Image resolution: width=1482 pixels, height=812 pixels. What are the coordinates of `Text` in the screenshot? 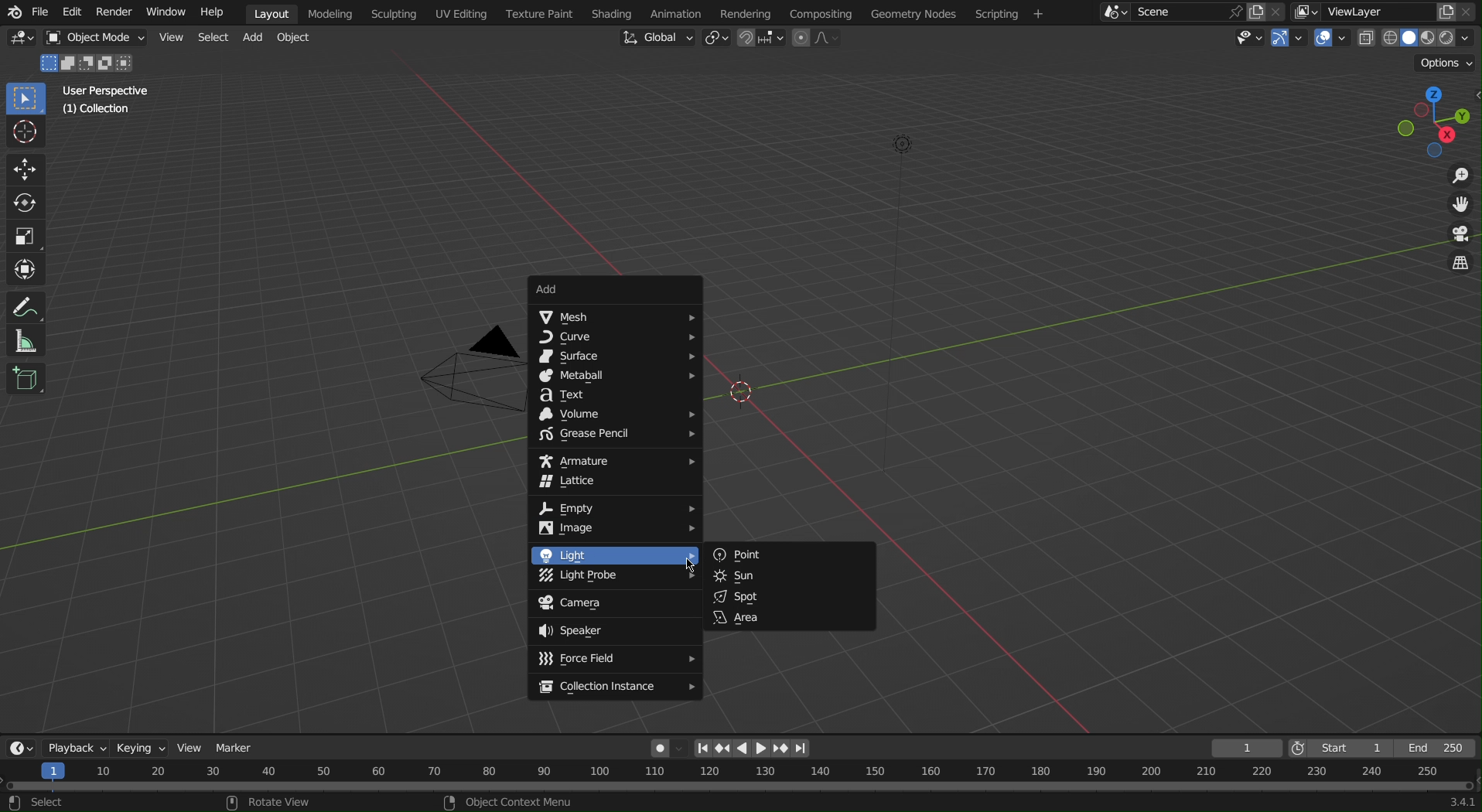 It's located at (613, 395).